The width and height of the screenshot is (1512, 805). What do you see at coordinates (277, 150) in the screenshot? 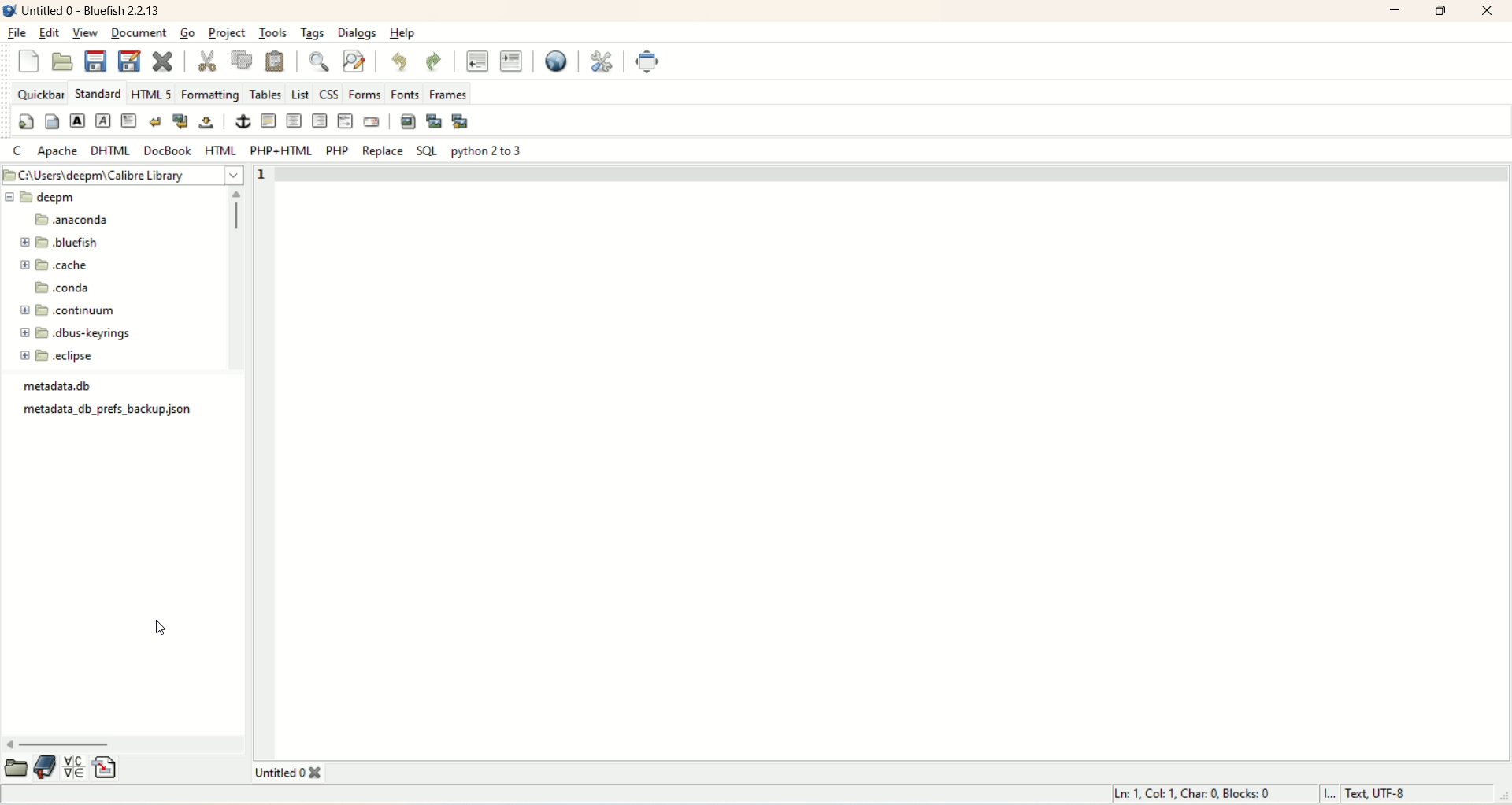
I see `PHP+HTML` at bounding box center [277, 150].